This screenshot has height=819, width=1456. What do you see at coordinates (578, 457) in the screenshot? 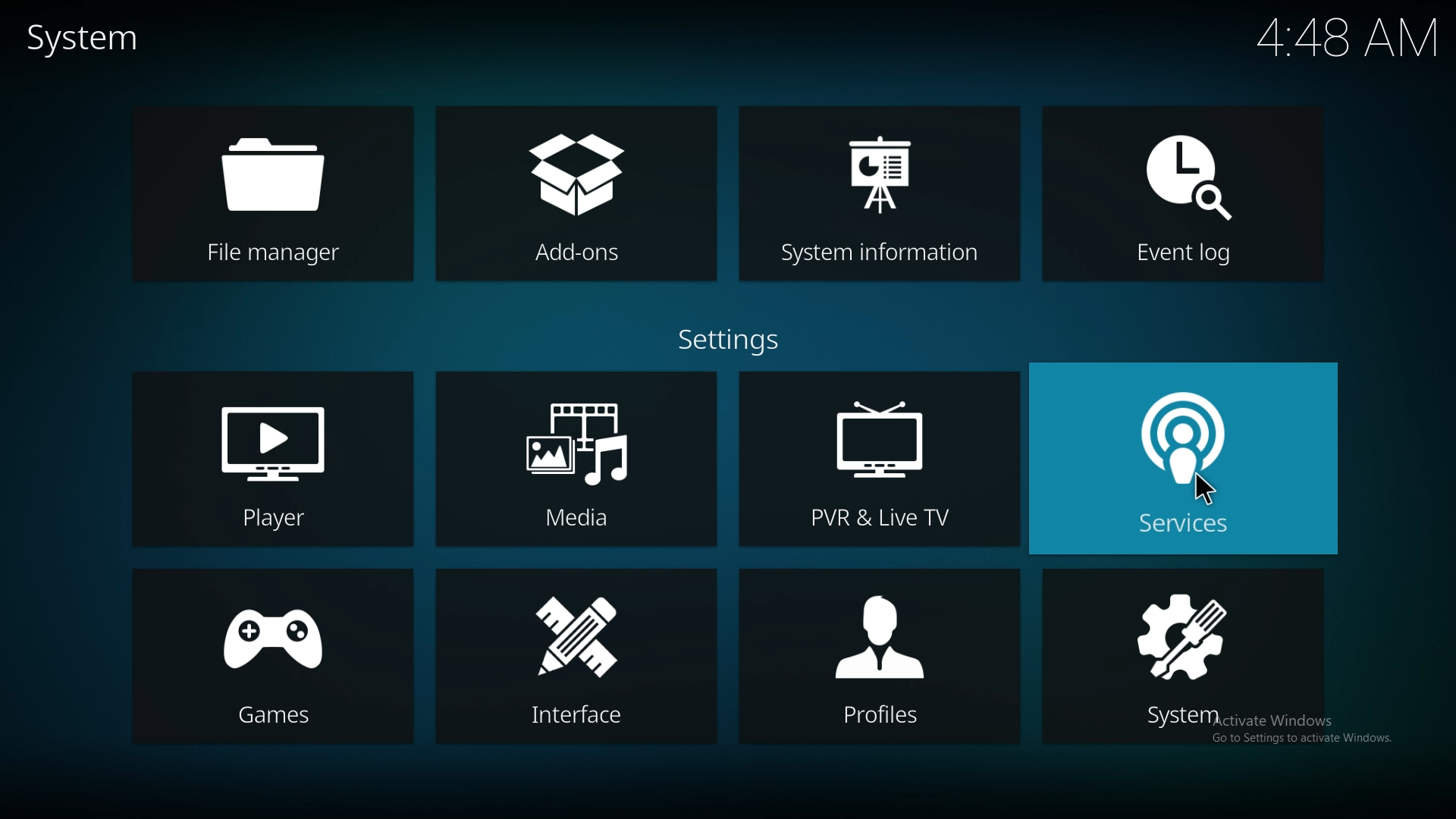
I see `media` at bounding box center [578, 457].